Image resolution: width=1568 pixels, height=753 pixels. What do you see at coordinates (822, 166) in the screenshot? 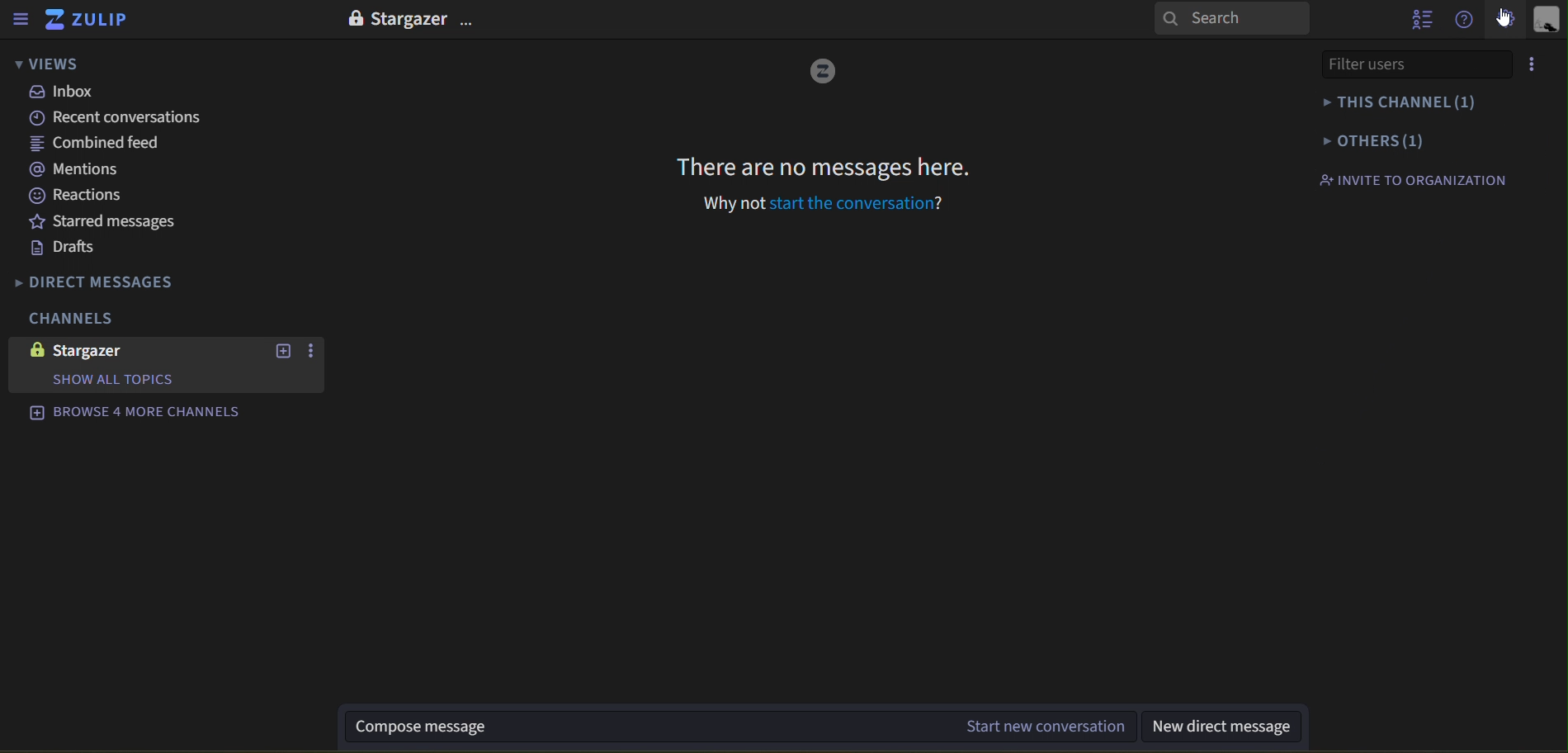
I see `There are no messages here.` at bounding box center [822, 166].